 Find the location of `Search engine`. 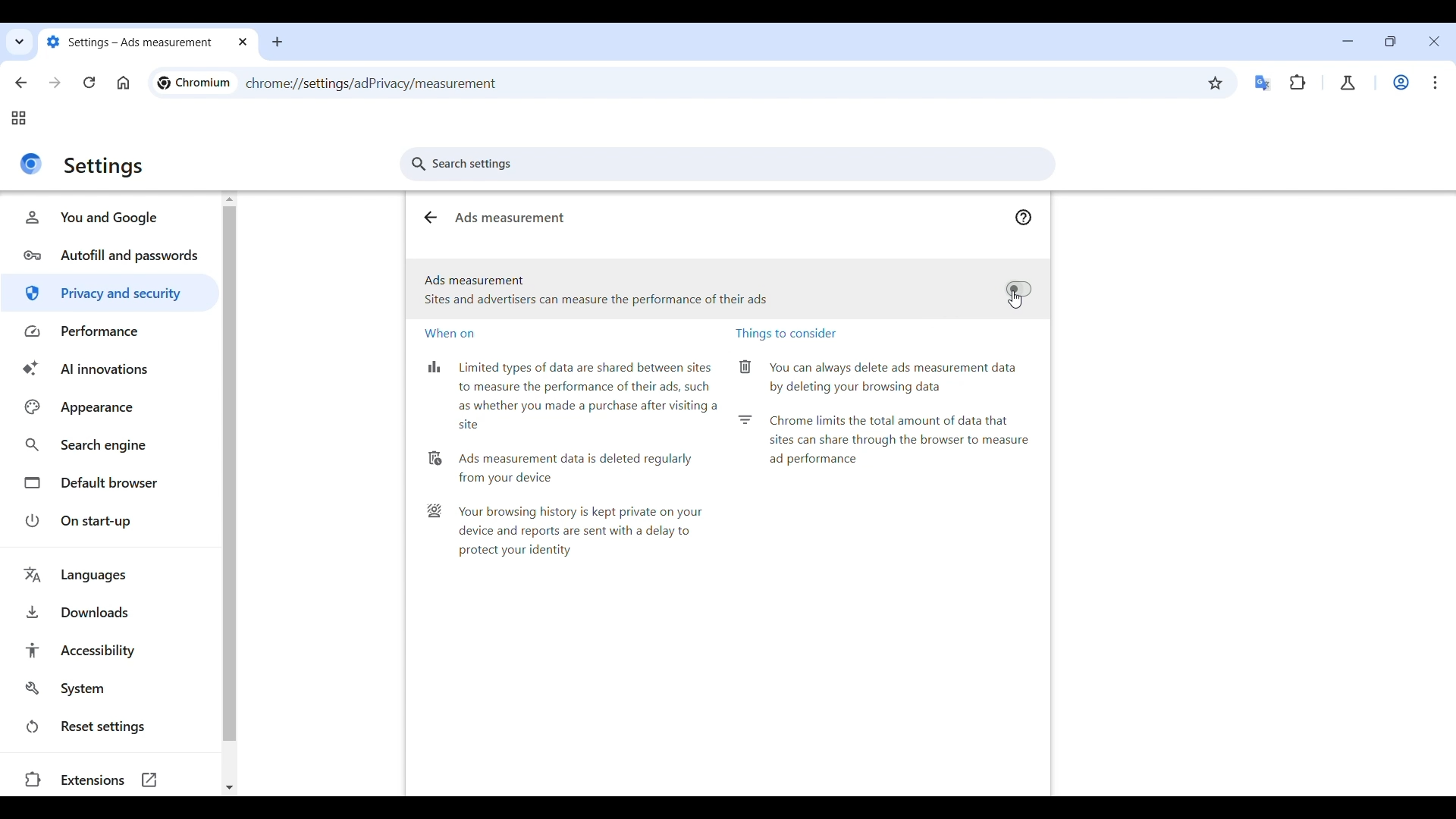

Search engine is located at coordinates (109, 446).